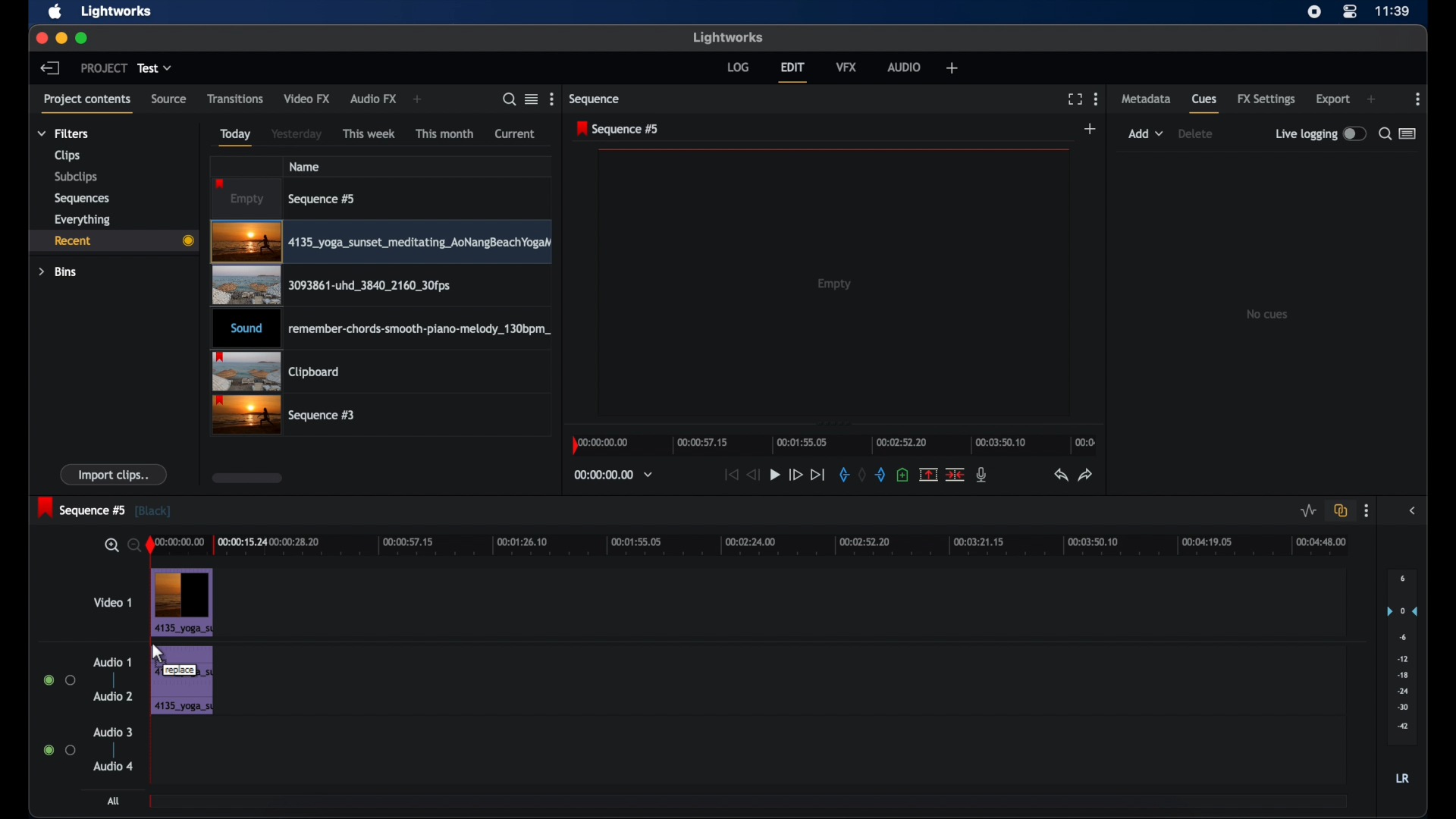 Image resolution: width=1456 pixels, height=819 pixels. I want to click on rewind, so click(754, 474).